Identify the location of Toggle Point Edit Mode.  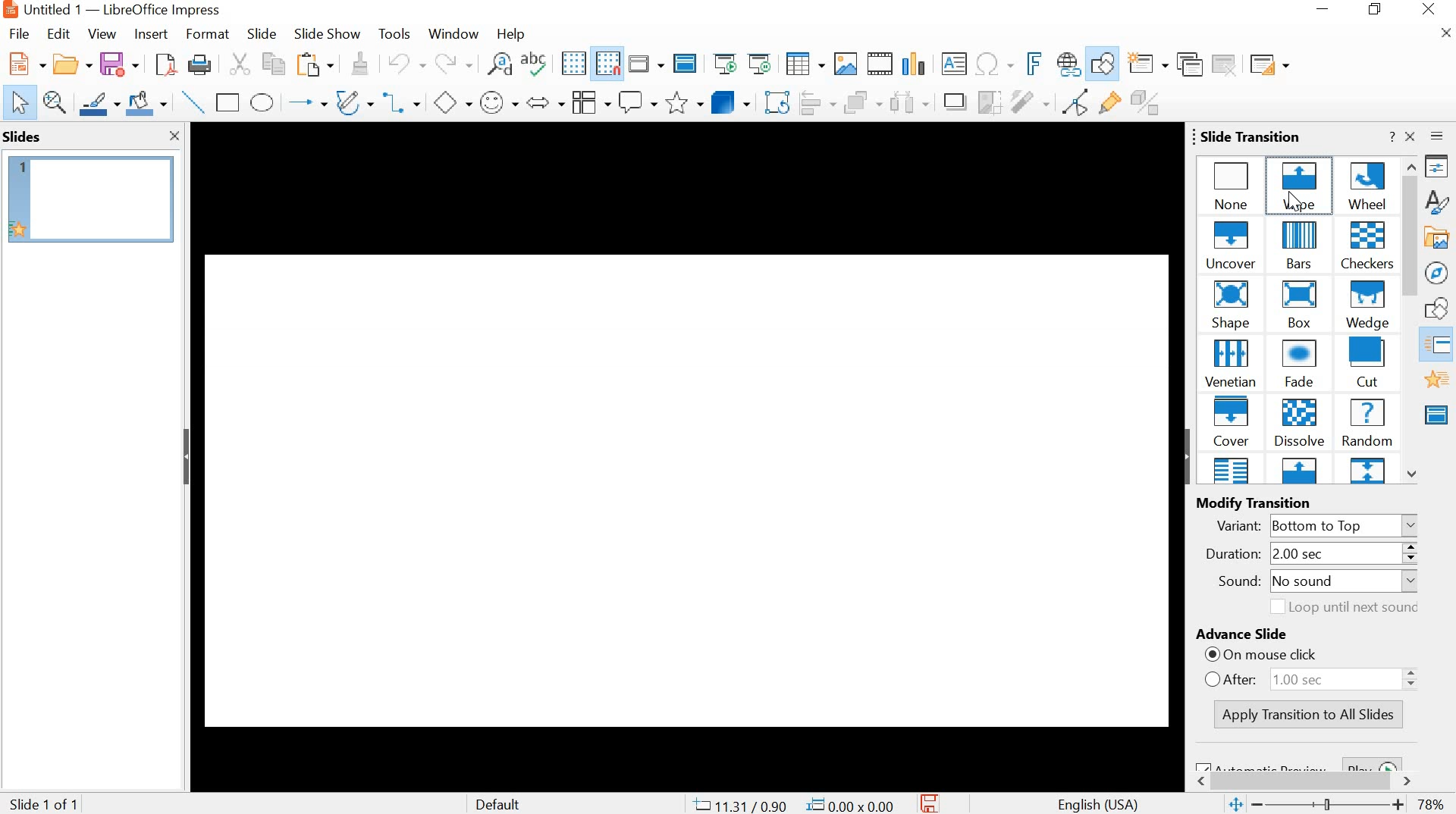
(1079, 101).